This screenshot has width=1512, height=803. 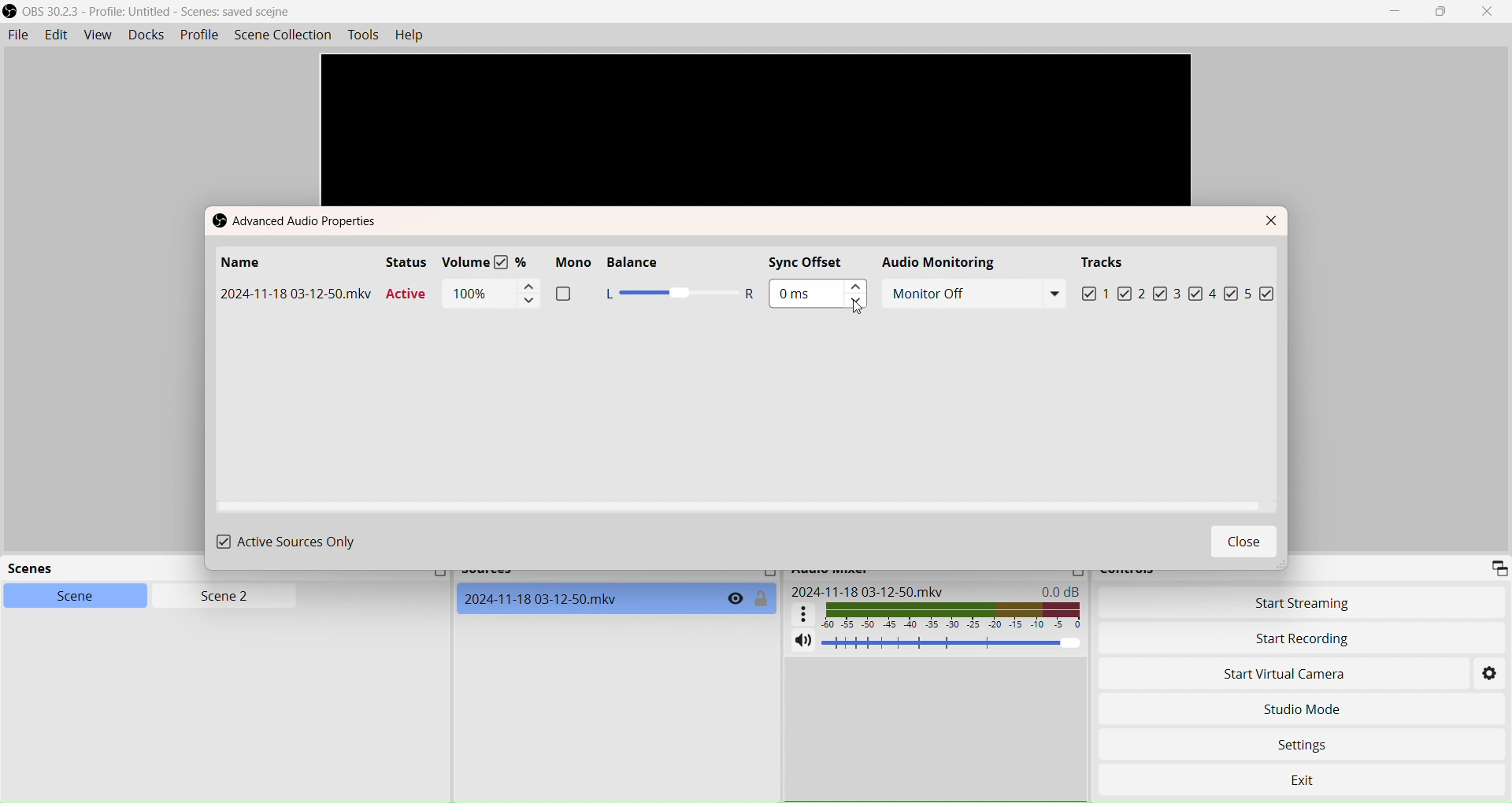 I want to click on 2024-11-18 03-12-50.mkv, so click(x=868, y=591).